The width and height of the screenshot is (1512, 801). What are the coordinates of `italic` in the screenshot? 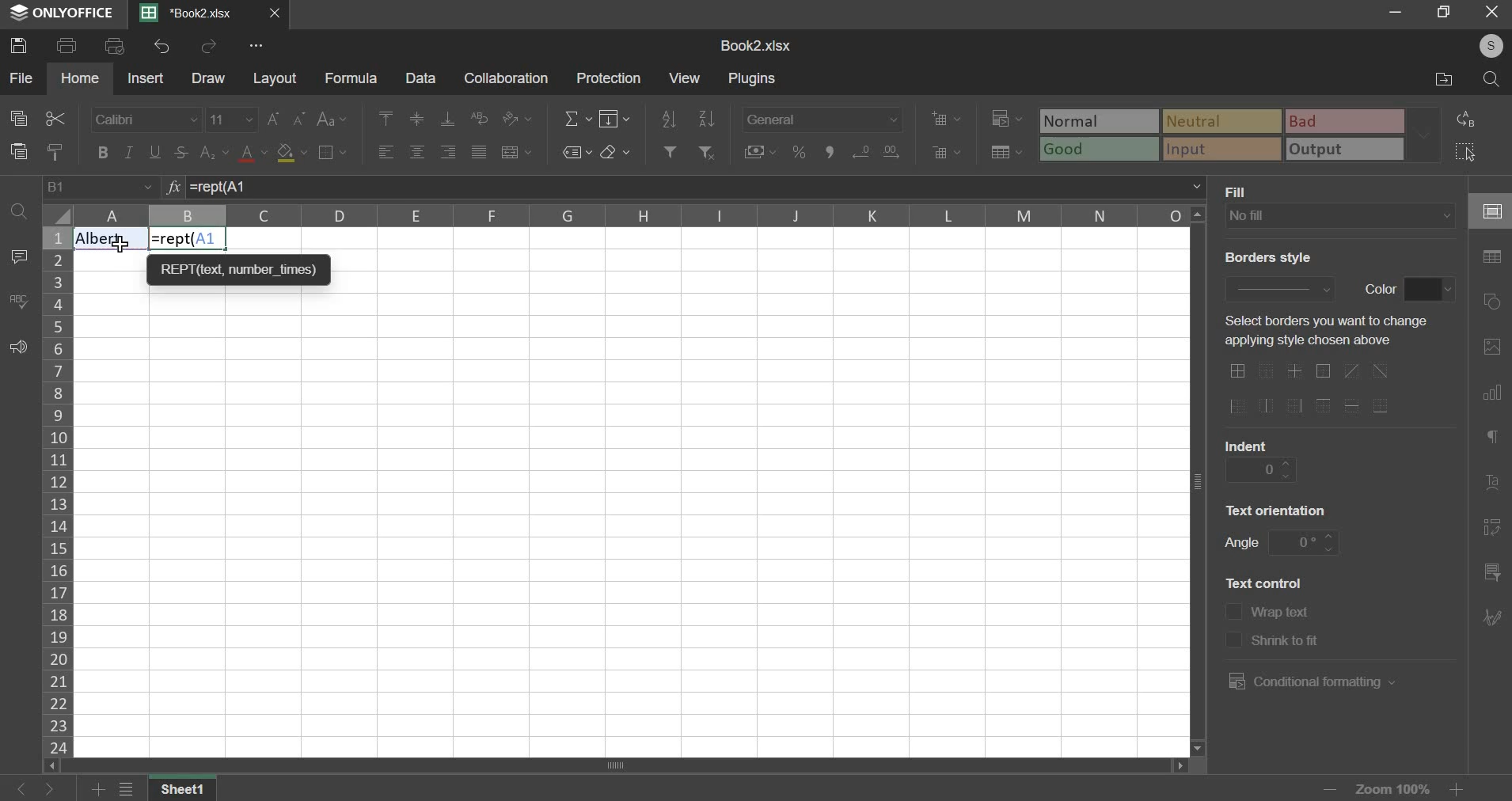 It's located at (130, 152).